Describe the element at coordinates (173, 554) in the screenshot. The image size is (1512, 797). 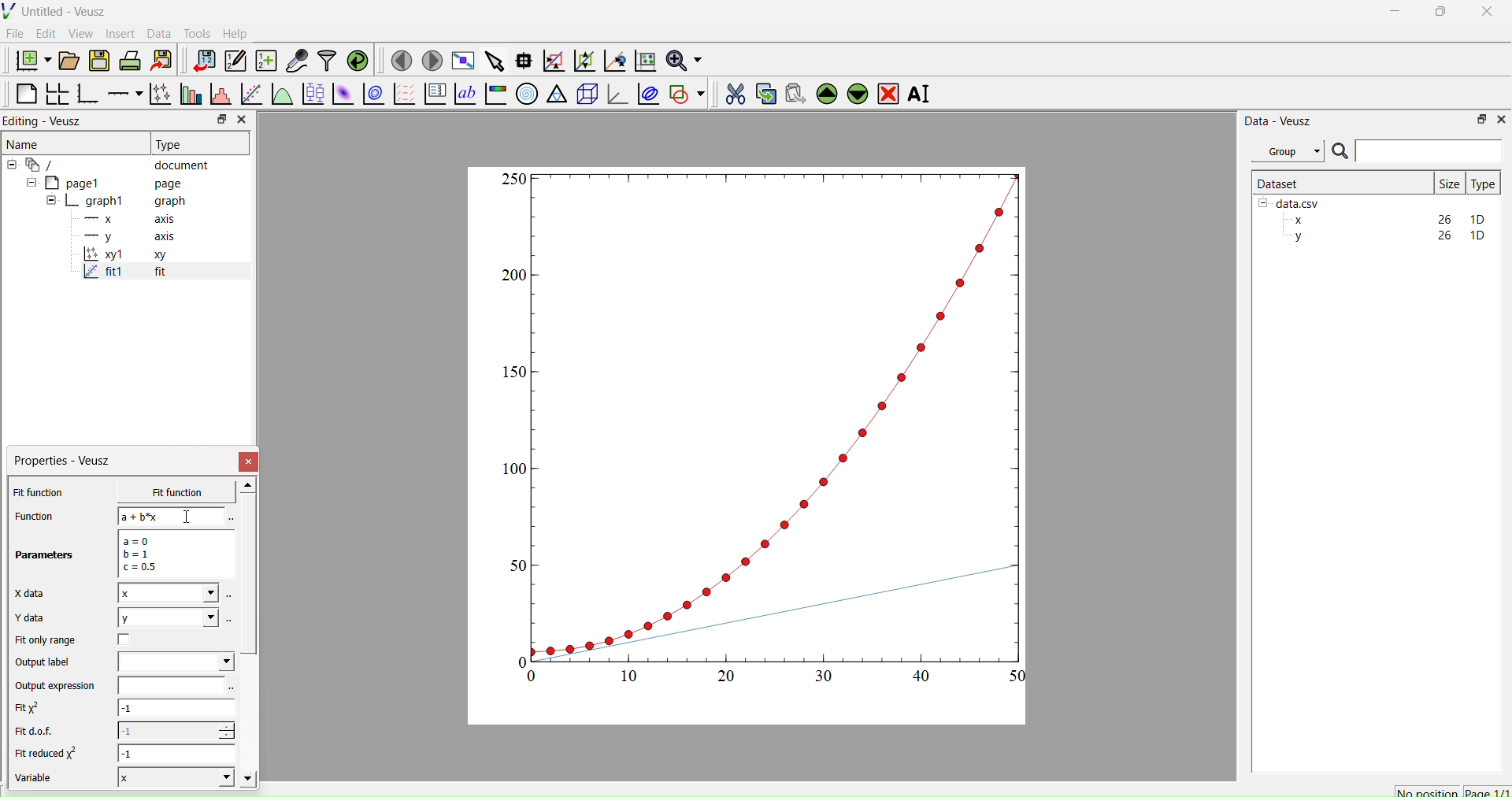
I see `a= 0 b=1 c = 0.5` at that location.